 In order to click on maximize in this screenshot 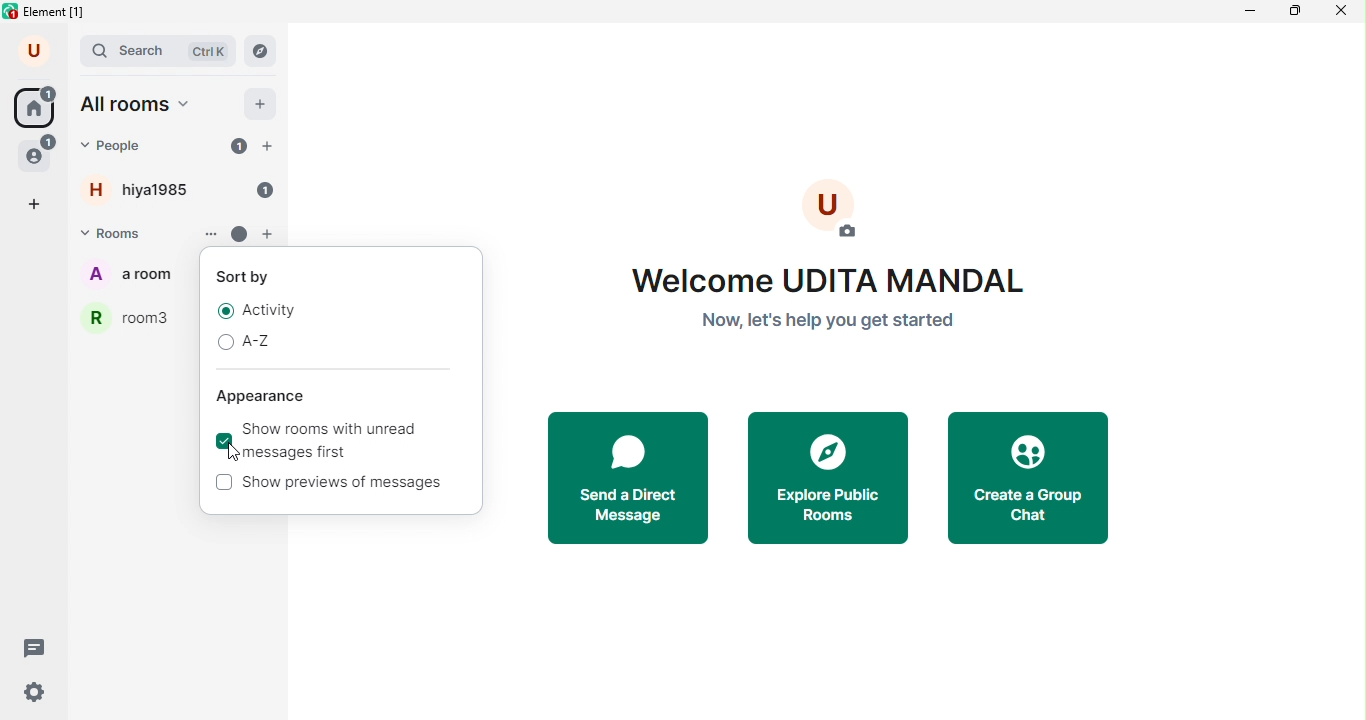, I will do `click(1296, 14)`.